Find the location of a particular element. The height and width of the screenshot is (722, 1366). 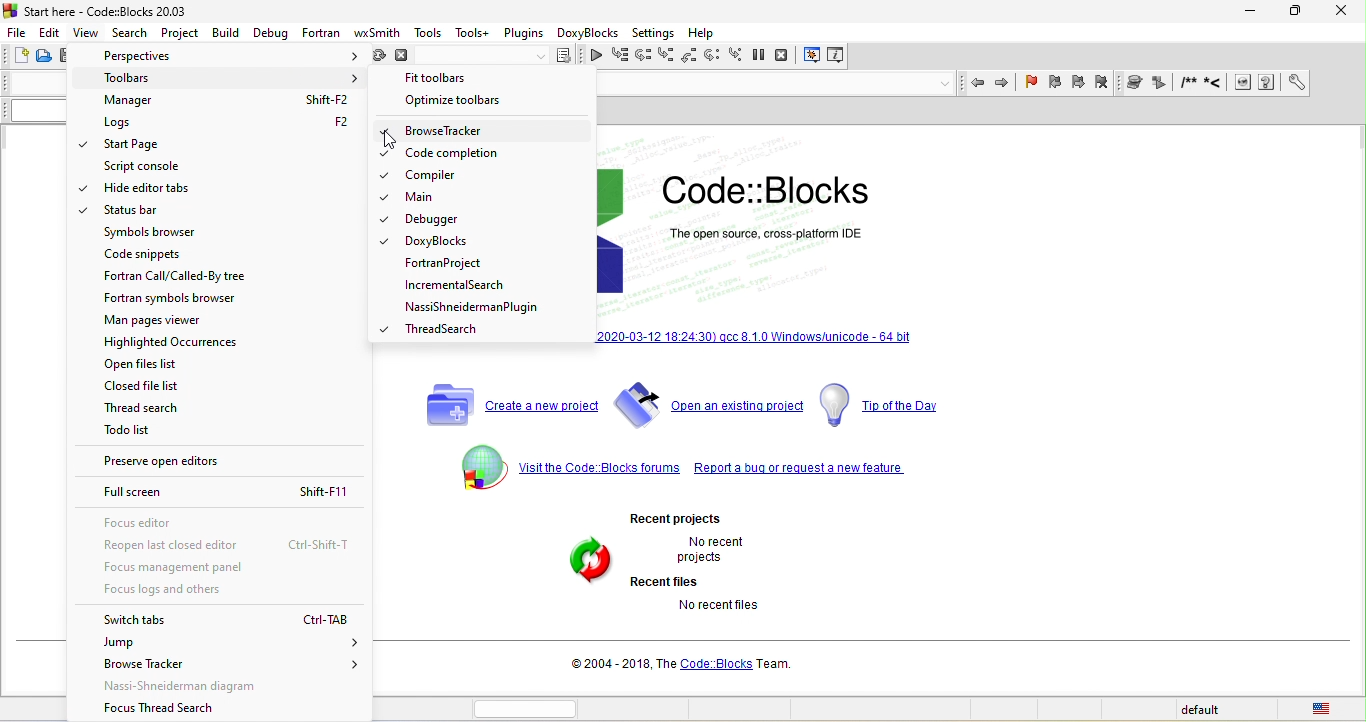

main is located at coordinates (417, 197).